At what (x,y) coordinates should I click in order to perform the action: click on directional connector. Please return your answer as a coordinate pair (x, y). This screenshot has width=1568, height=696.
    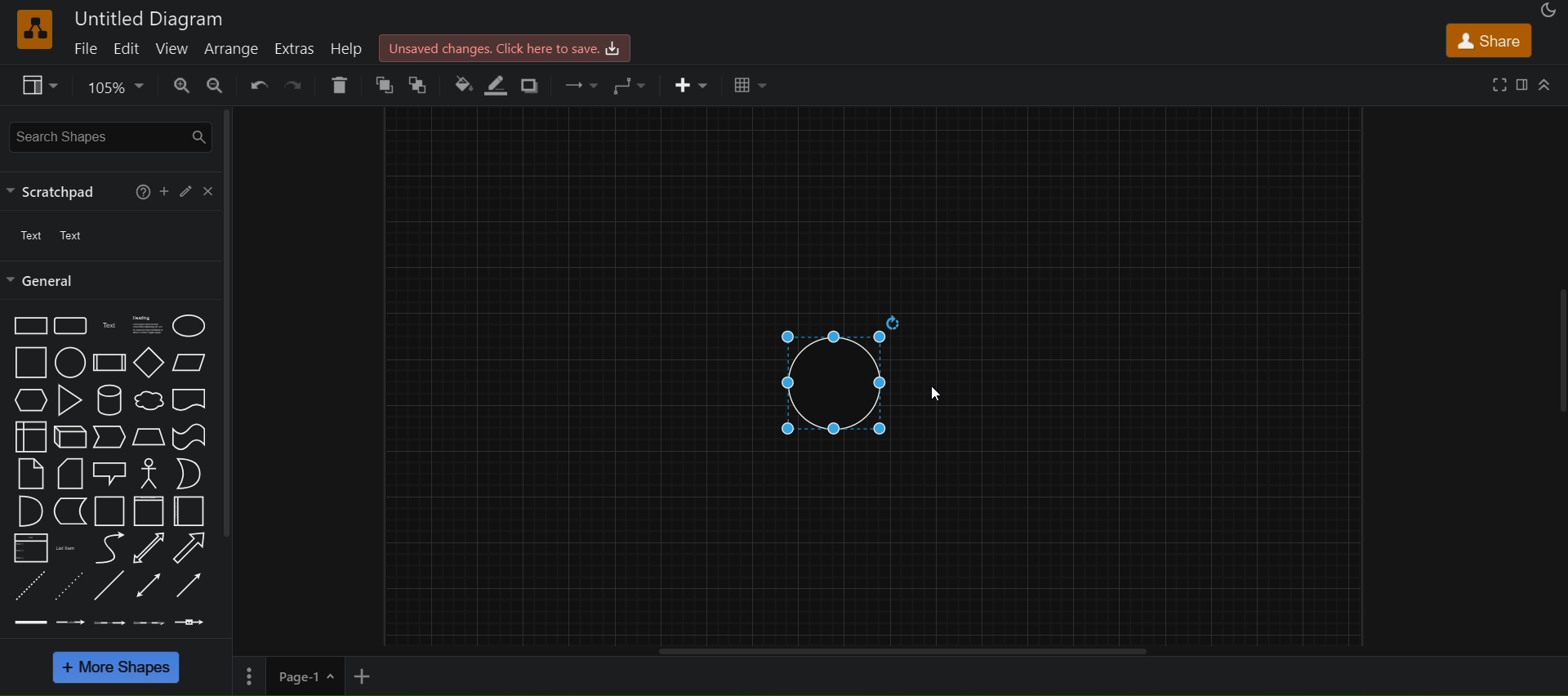
    Looking at the image, I should click on (189, 586).